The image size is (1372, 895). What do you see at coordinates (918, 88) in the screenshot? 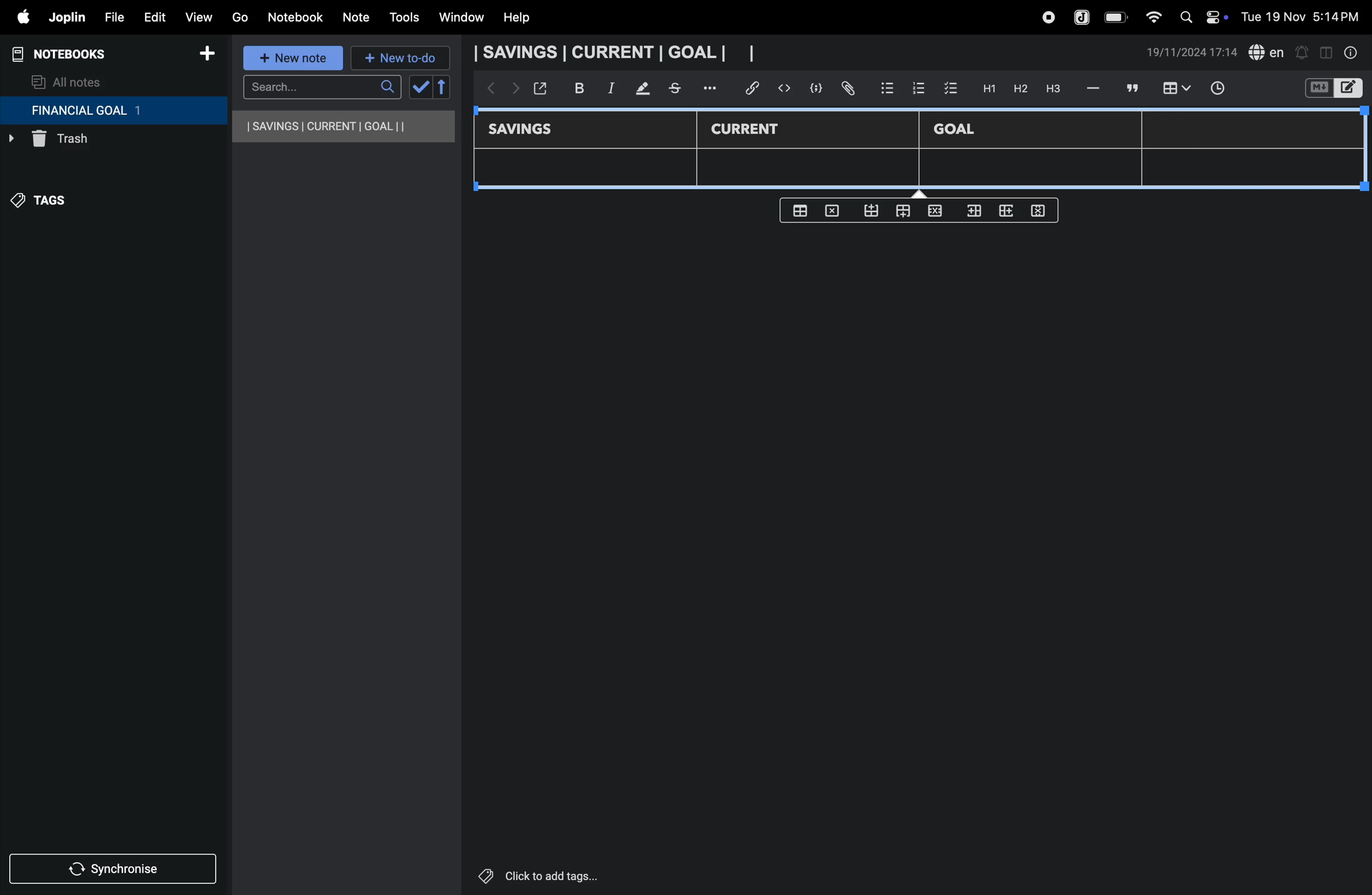
I see `numbered list` at bounding box center [918, 88].